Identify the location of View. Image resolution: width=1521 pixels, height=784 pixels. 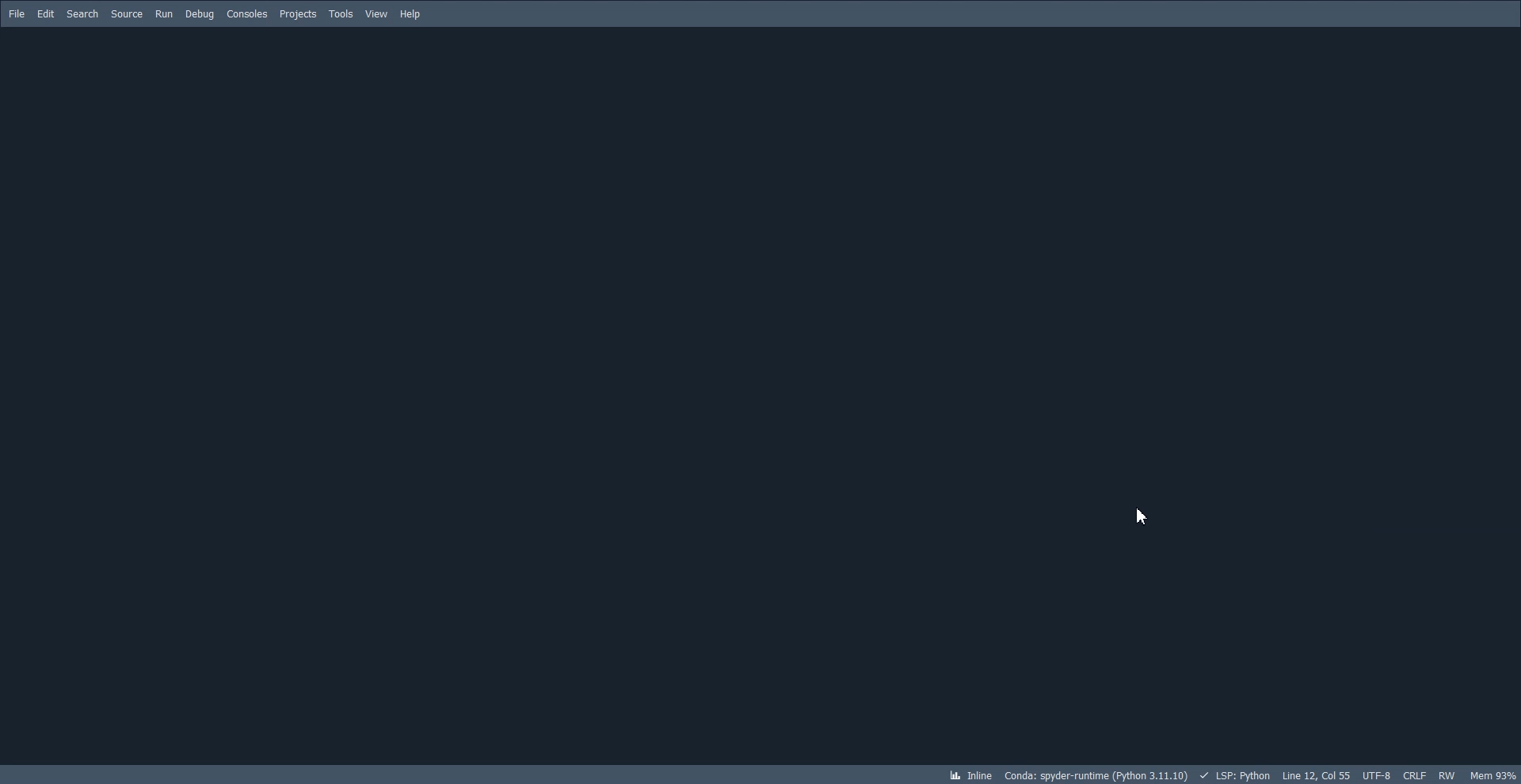
(376, 13).